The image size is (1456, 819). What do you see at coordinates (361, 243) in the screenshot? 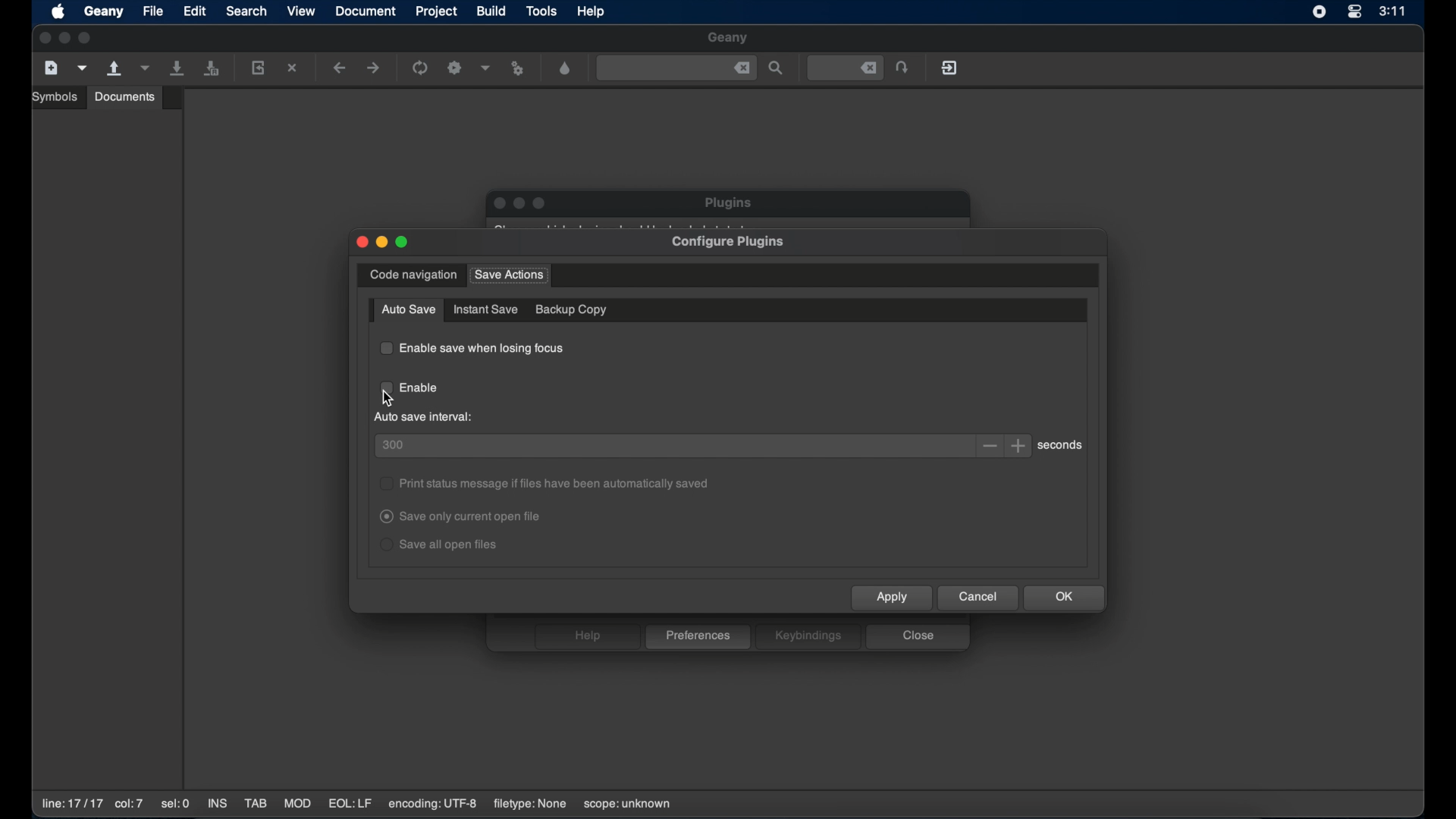
I see `close` at bounding box center [361, 243].